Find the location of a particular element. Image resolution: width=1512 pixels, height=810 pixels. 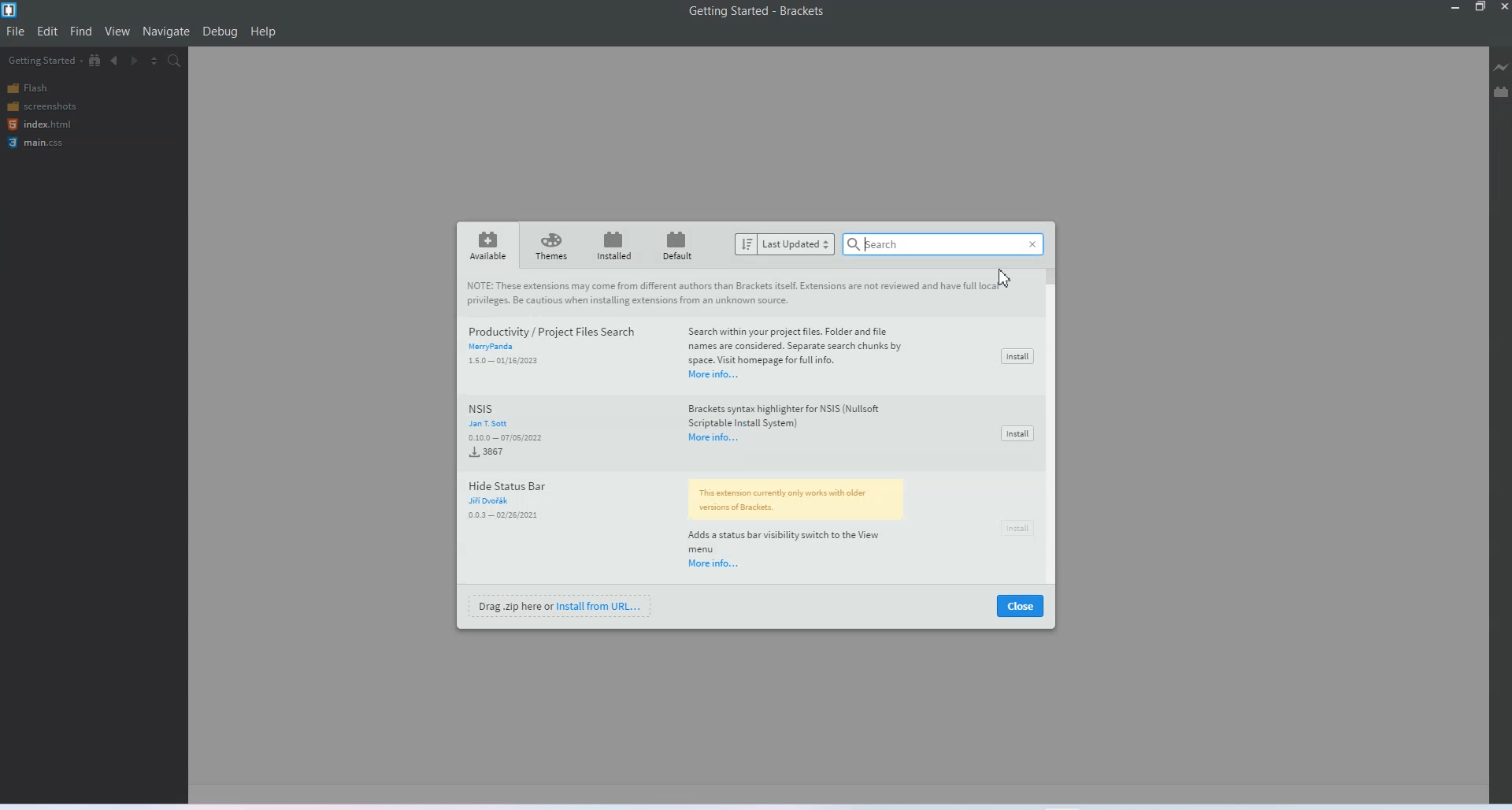

Navigate Backwards is located at coordinates (116, 61).